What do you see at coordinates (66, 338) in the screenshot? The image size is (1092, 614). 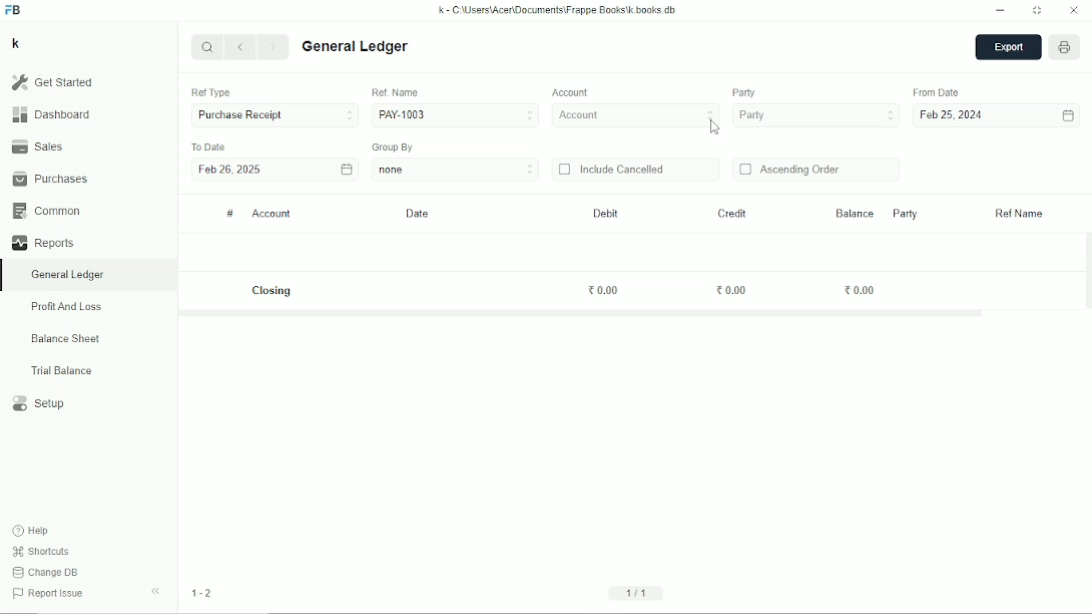 I see `Balance sheet` at bounding box center [66, 338].